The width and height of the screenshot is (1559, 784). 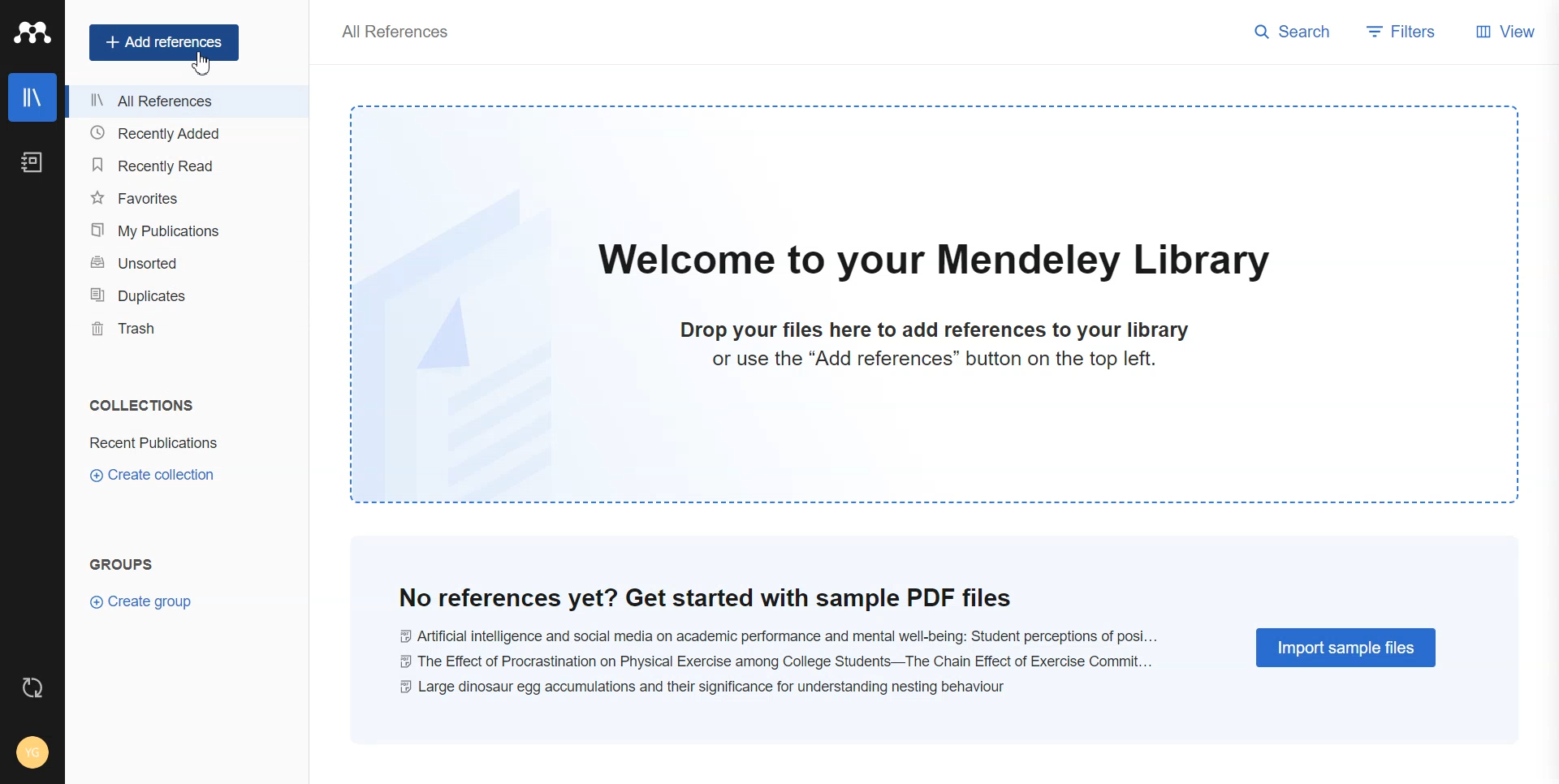 I want to click on No references yet? Get started with sample PDF files, so click(x=706, y=598).